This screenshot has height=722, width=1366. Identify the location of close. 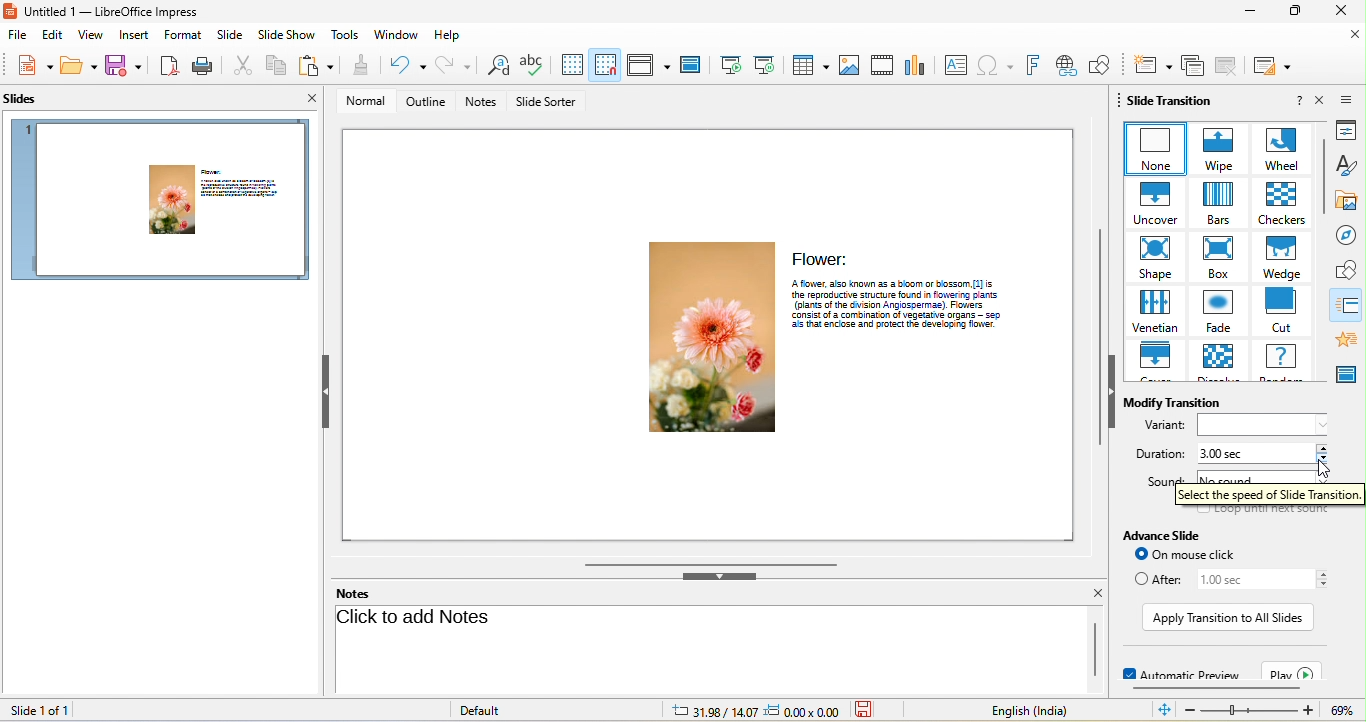
(315, 99).